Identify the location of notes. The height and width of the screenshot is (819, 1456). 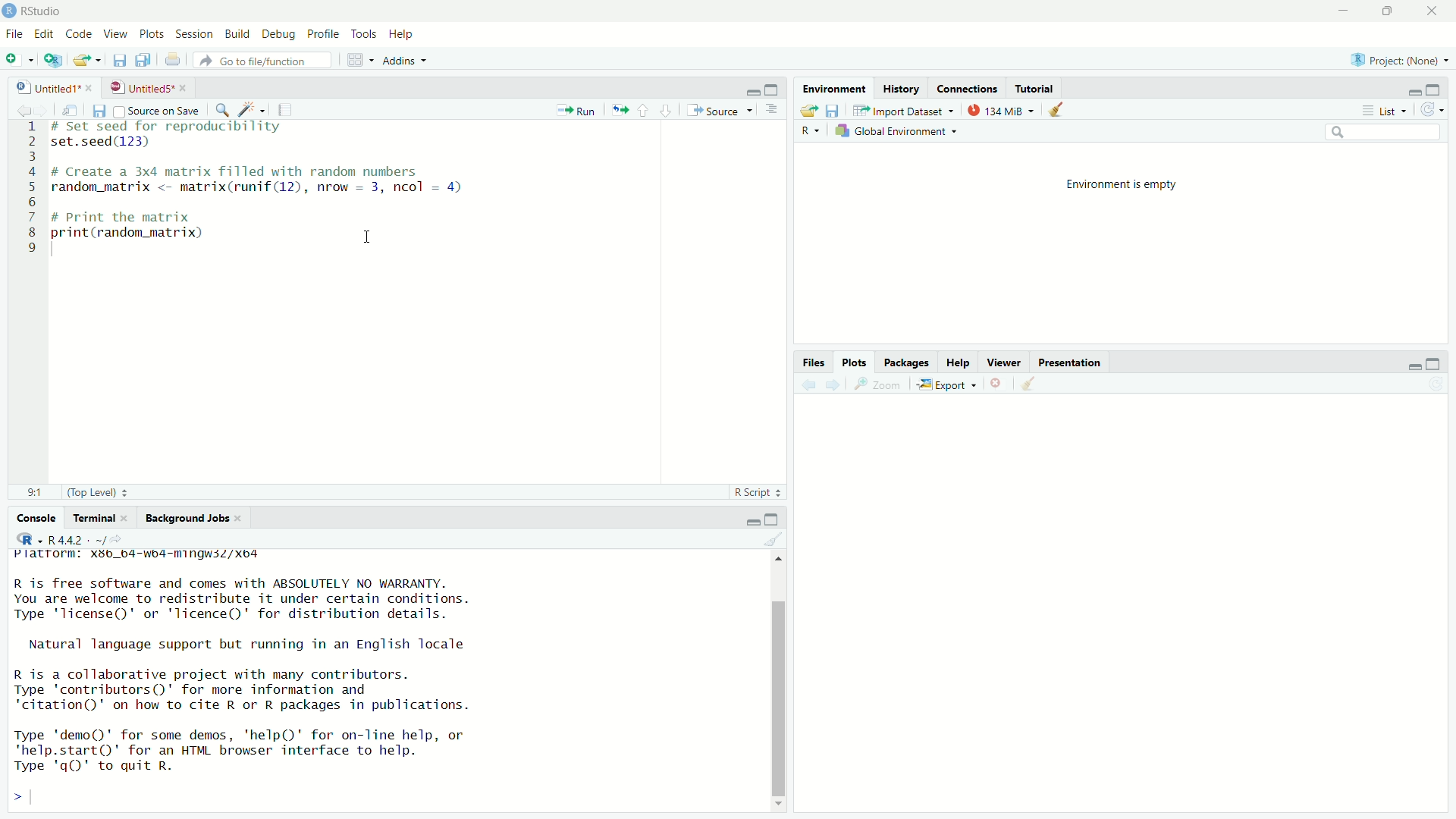
(285, 106).